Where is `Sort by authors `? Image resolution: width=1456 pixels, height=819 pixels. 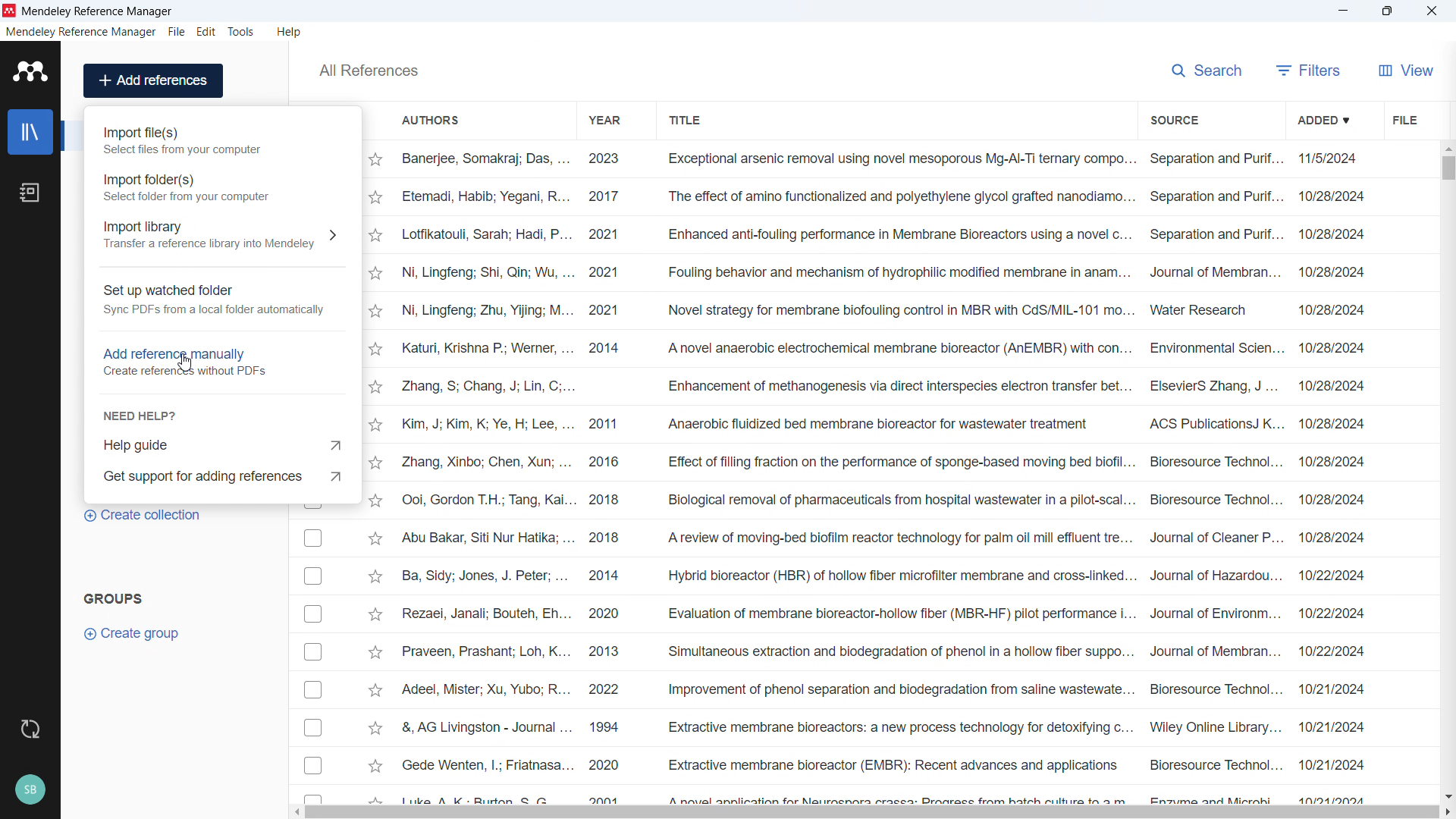
Sort by authors  is located at coordinates (431, 119).